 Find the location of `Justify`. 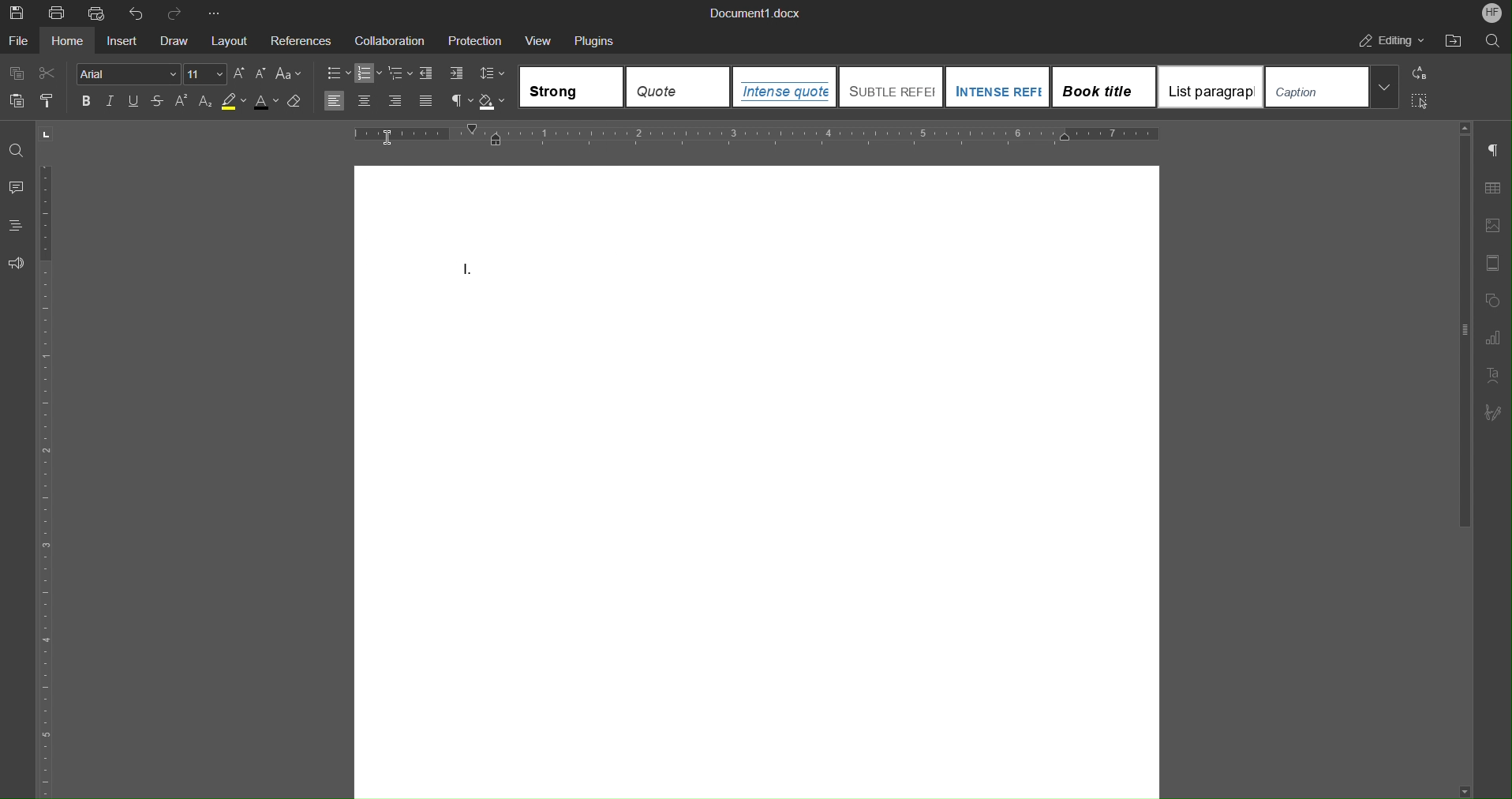

Justify is located at coordinates (426, 102).